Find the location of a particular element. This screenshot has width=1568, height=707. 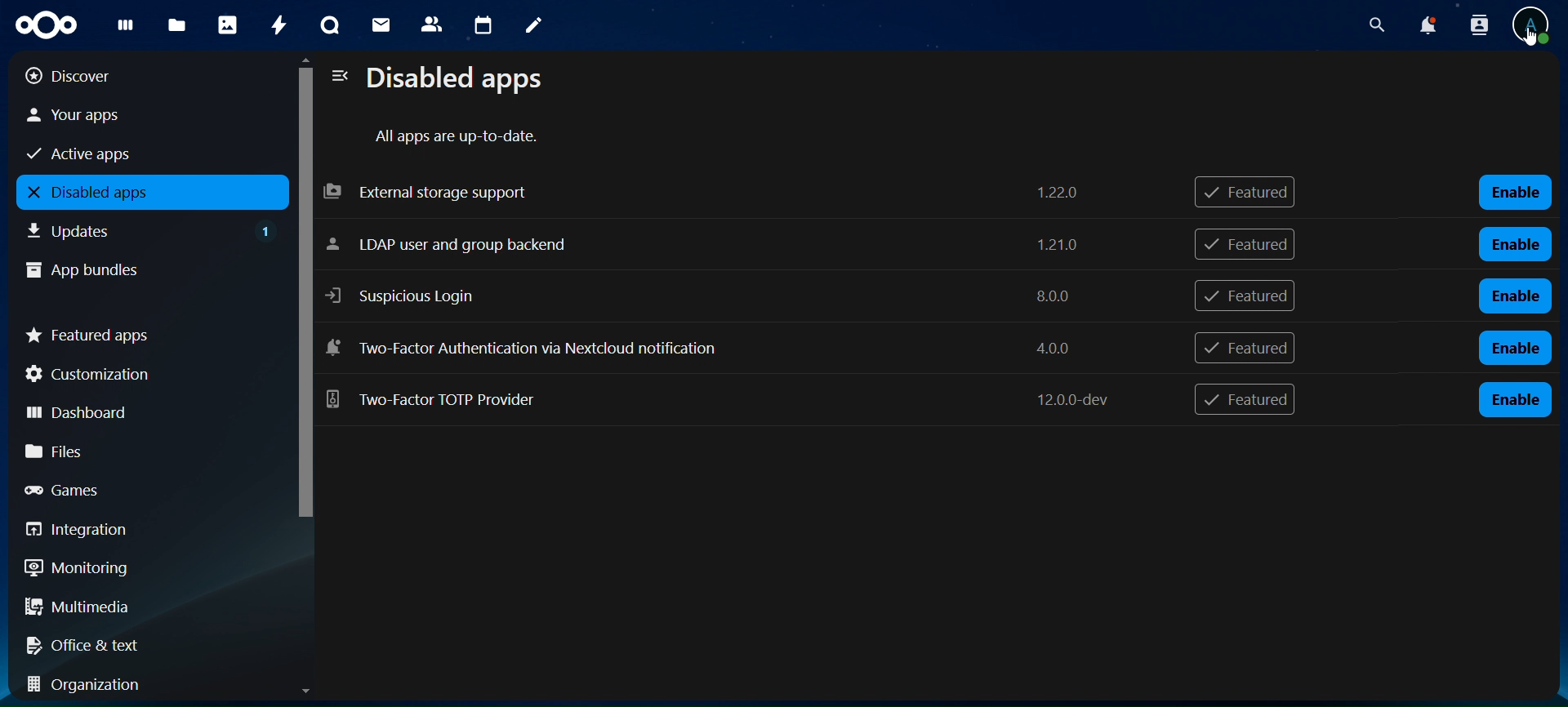

customization is located at coordinates (145, 374).